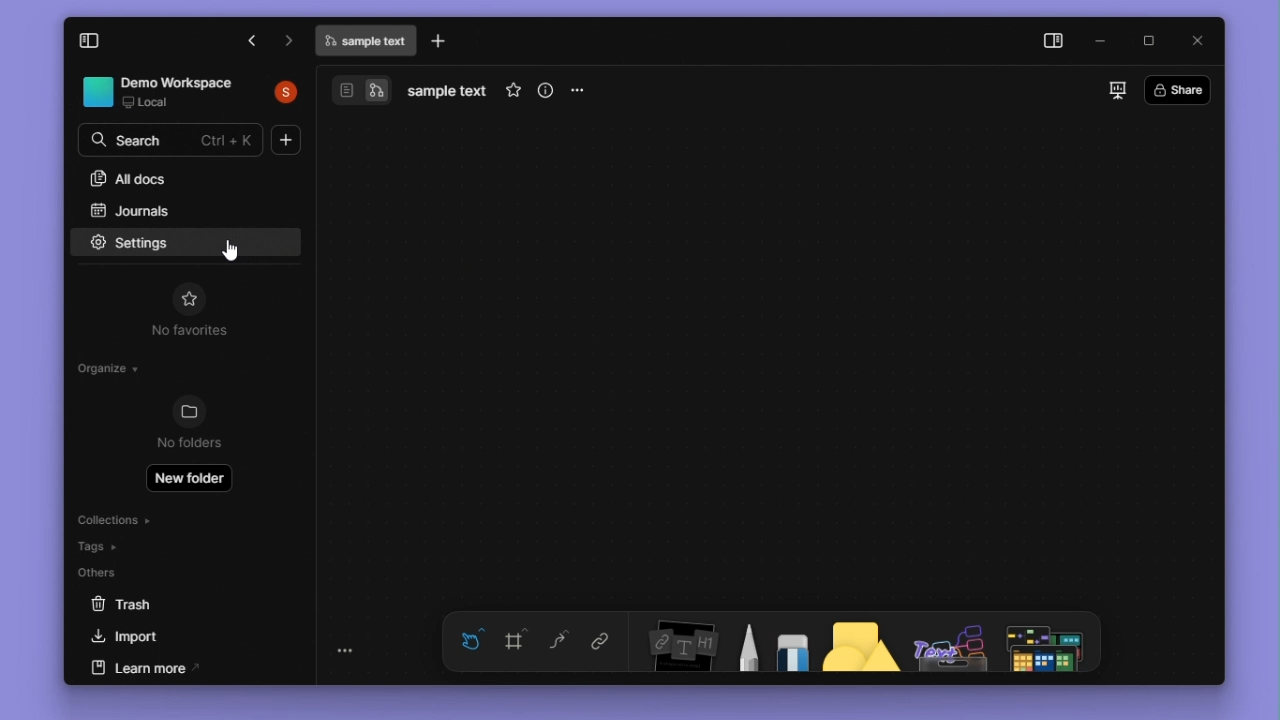 This screenshot has height=720, width=1280. I want to click on more info, so click(549, 89).